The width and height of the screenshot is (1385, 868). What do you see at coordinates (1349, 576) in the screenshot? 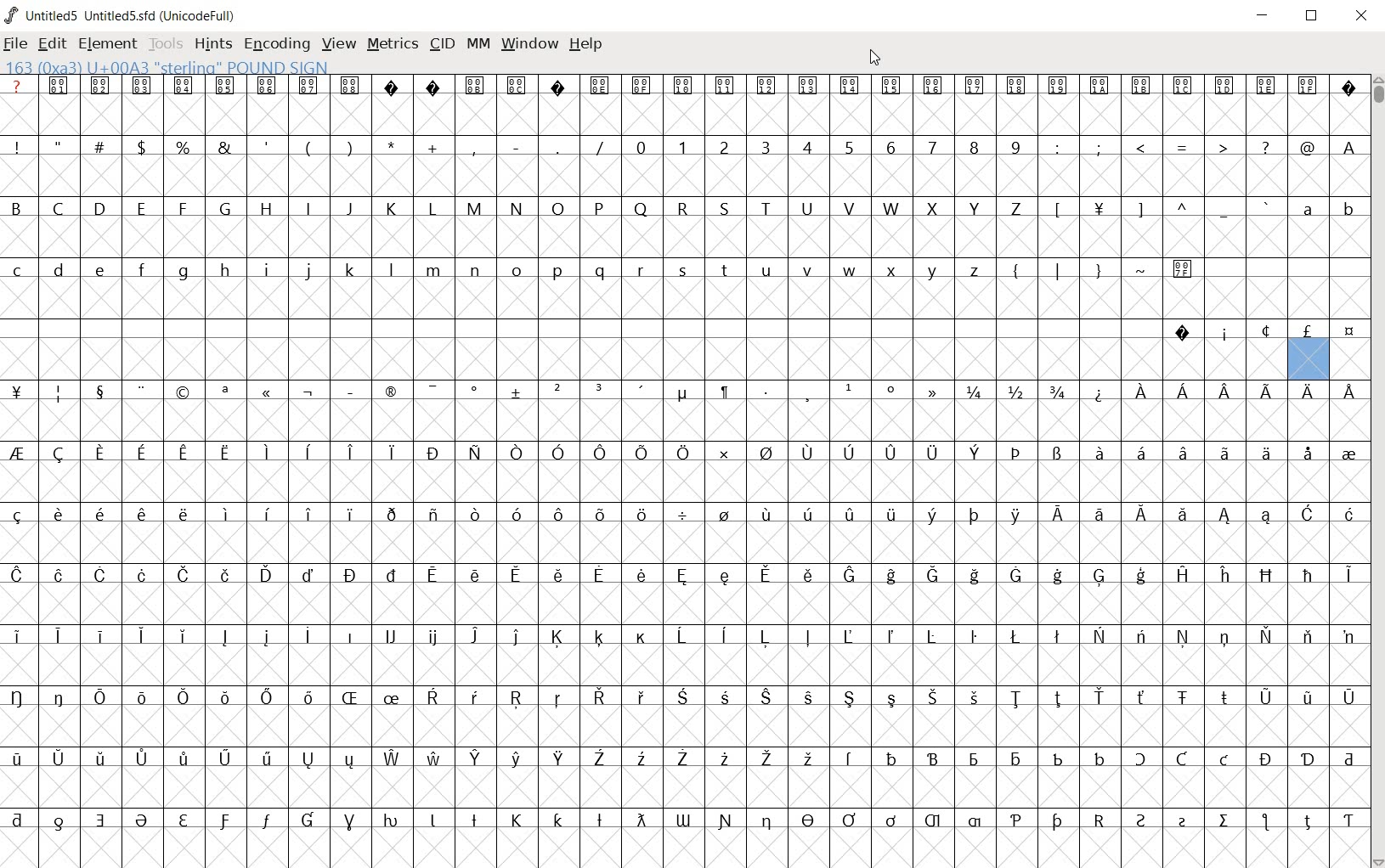
I see `Symbol` at bounding box center [1349, 576].